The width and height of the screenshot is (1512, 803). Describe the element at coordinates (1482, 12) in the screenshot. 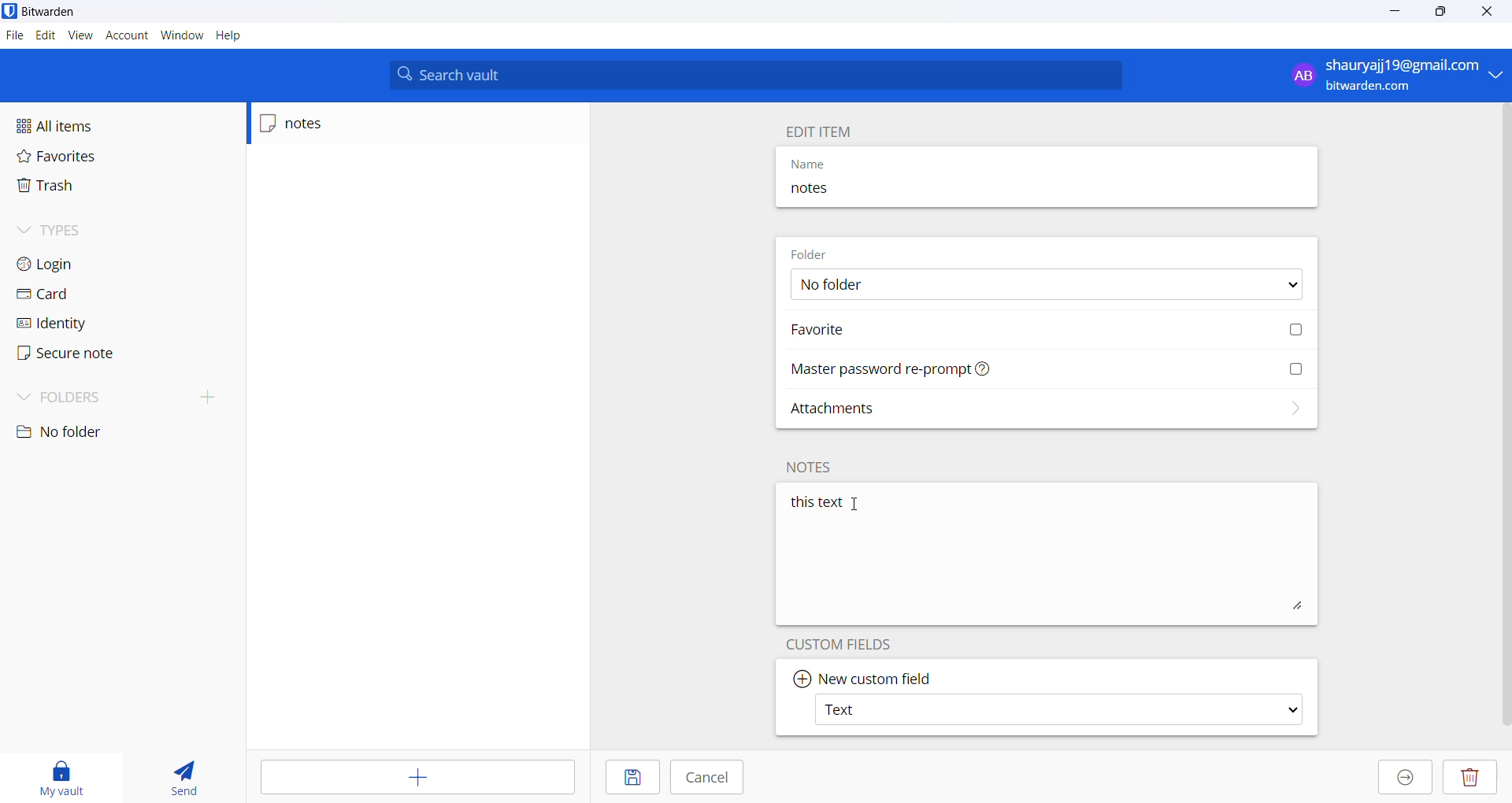

I see `close` at that location.